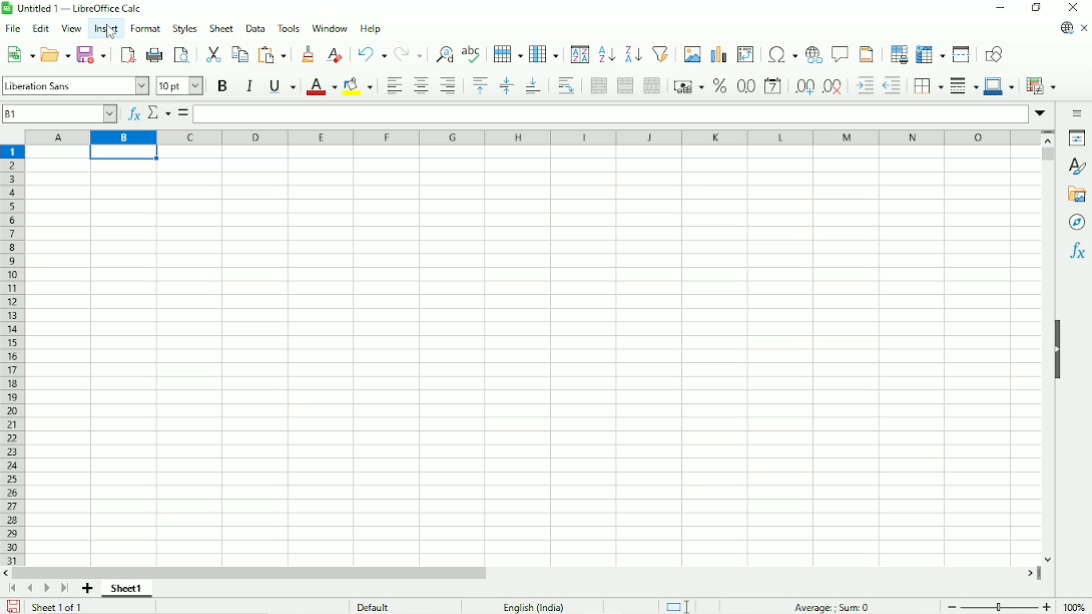  I want to click on Background color, so click(357, 85).